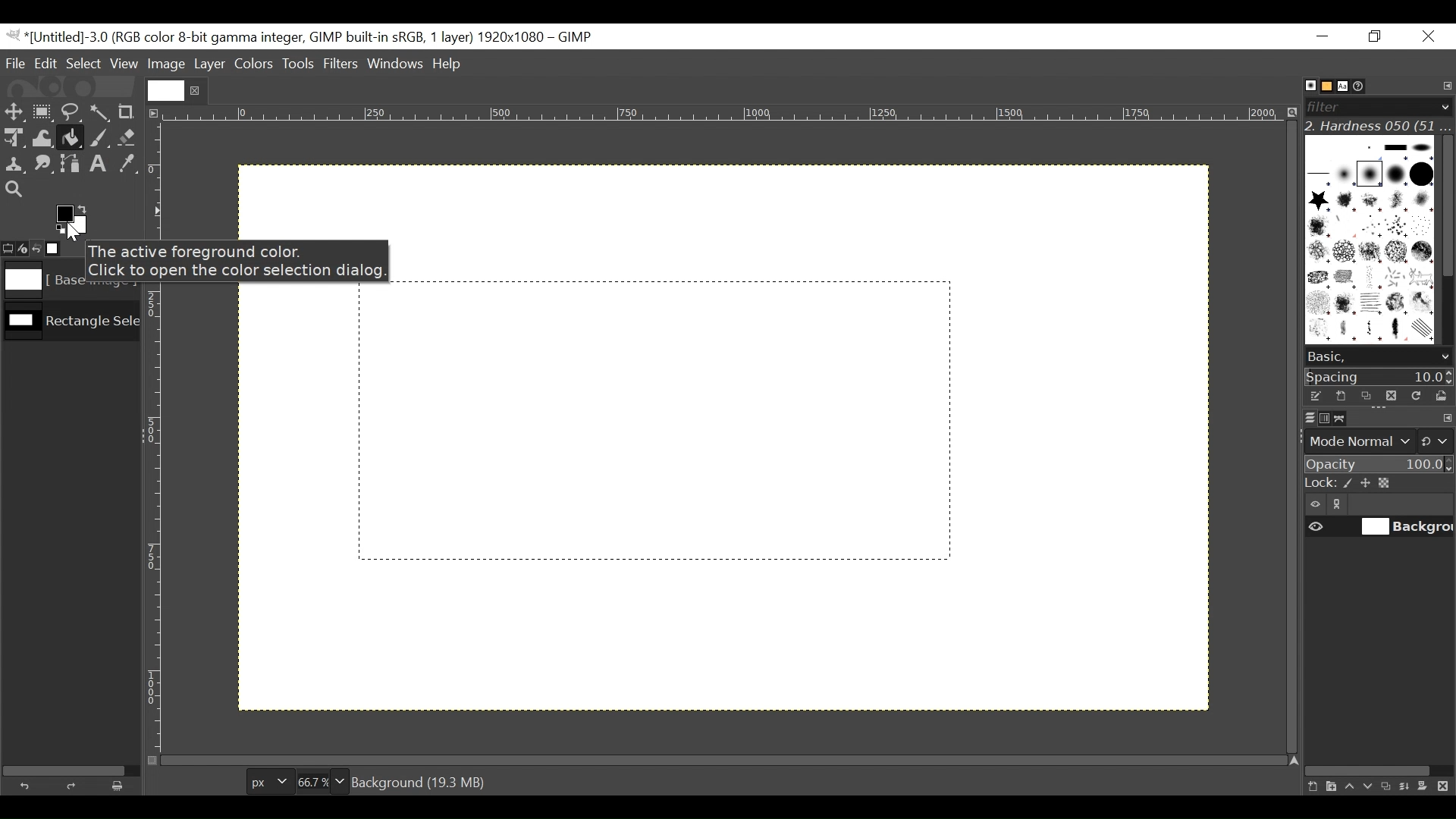  What do you see at coordinates (1414, 394) in the screenshot?
I see `Refresh` at bounding box center [1414, 394].